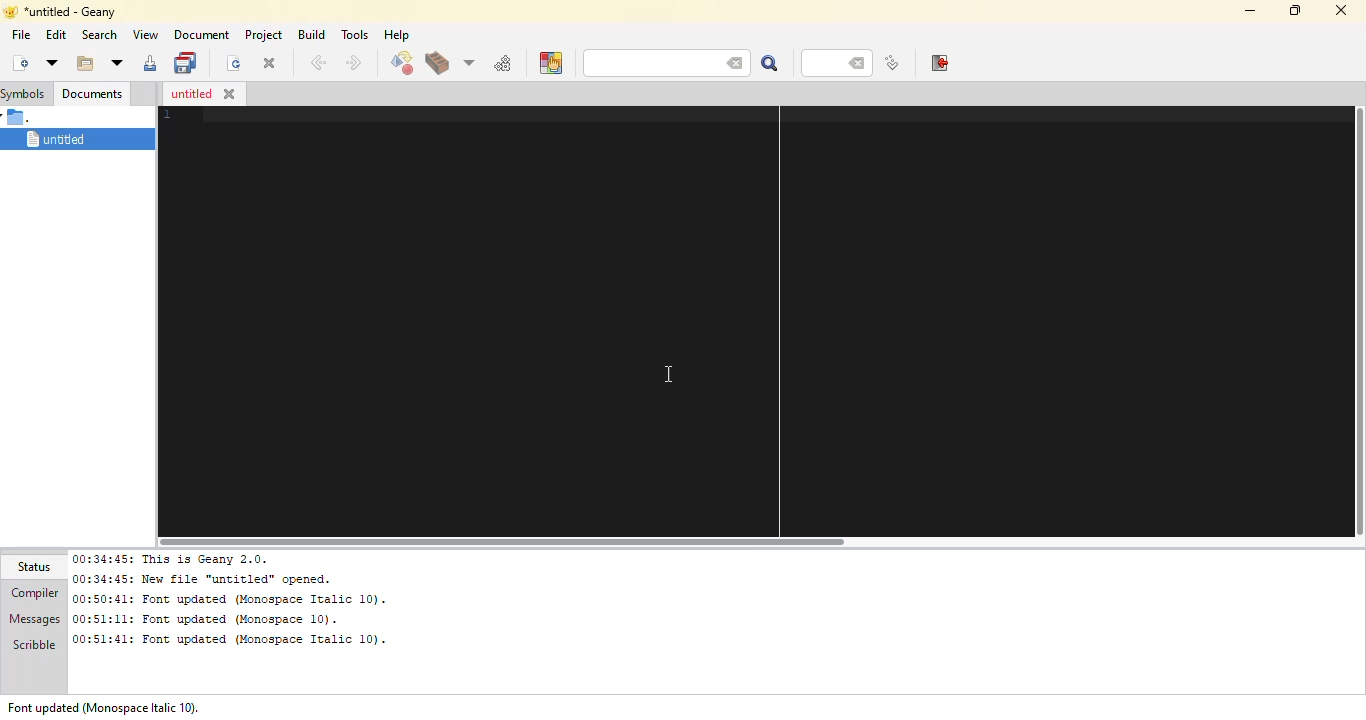 The height and width of the screenshot is (720, 1366). I want to click on file, so click(20, 34).